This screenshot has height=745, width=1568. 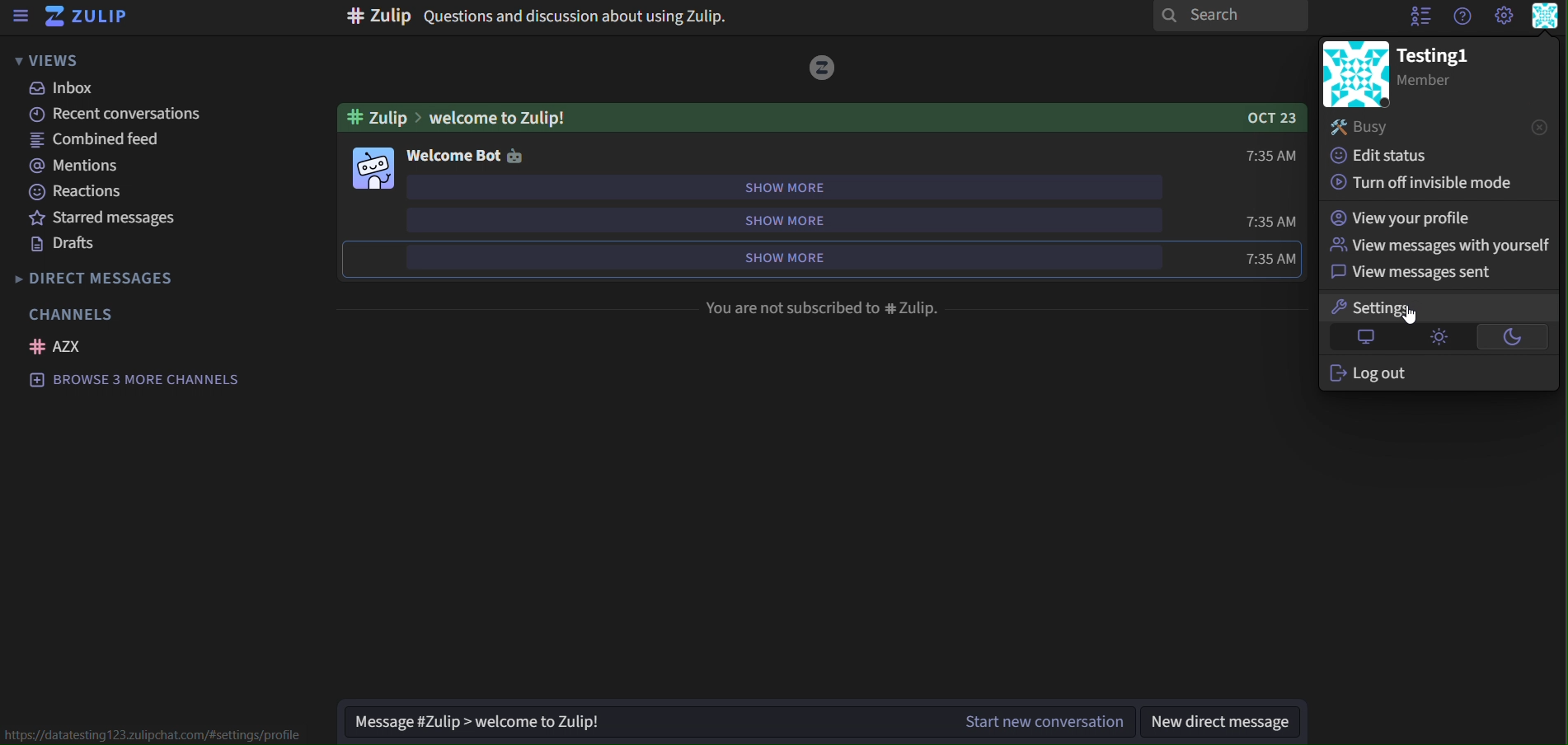 I want to click on setting, so click(x=1503, y=16).